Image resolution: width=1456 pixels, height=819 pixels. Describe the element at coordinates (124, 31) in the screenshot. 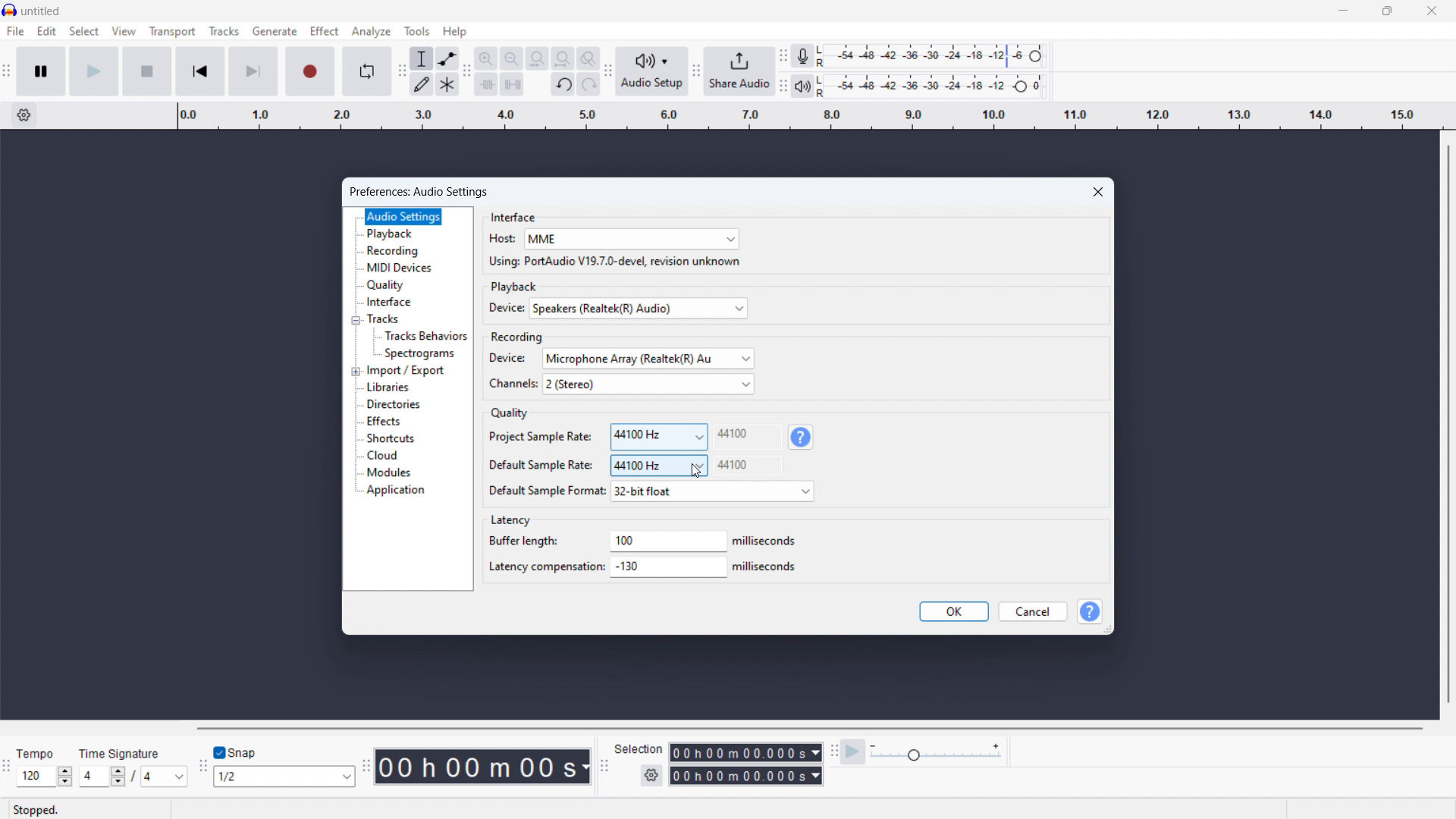

I see `view` at that location.